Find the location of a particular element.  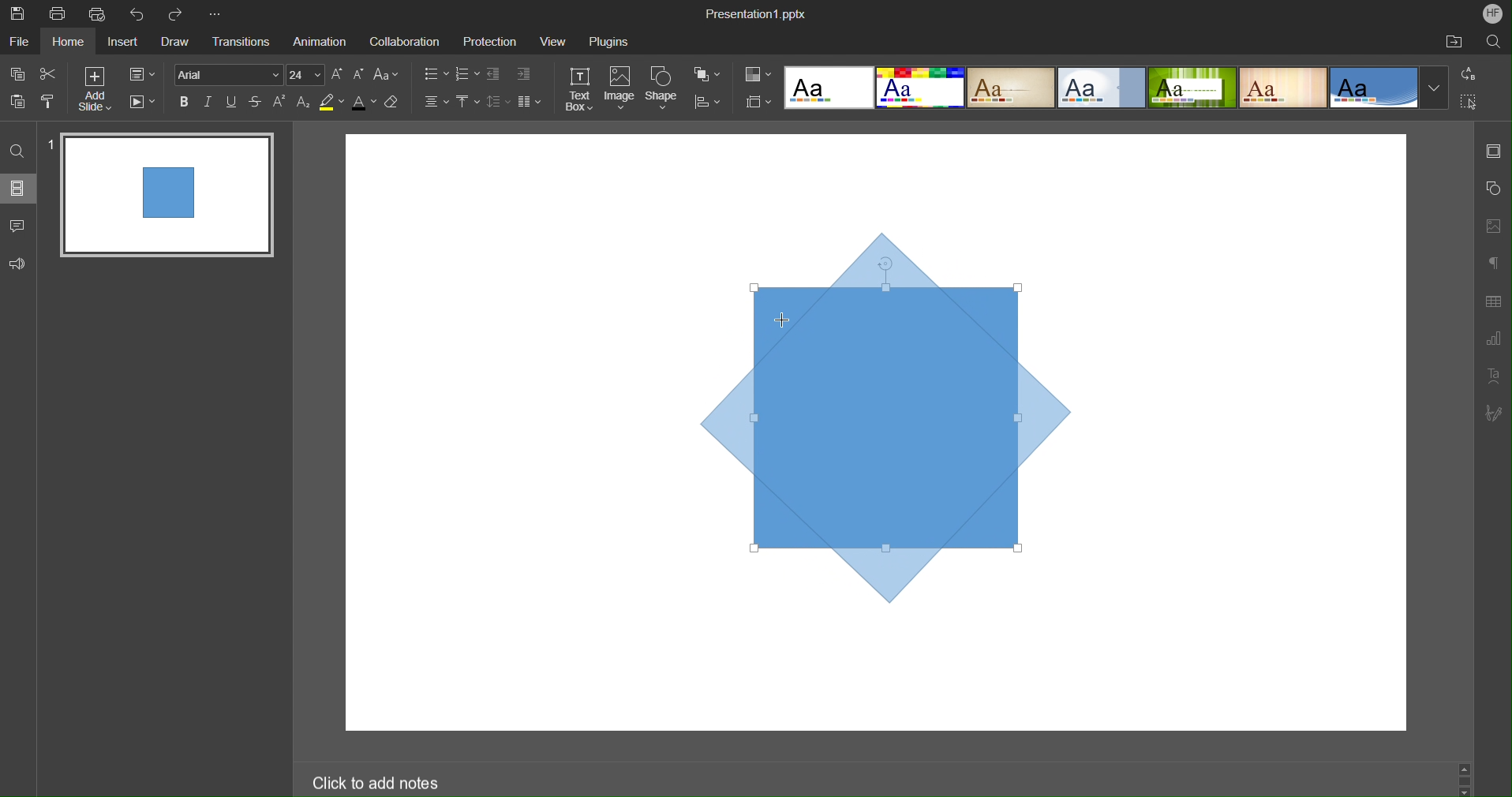

Image is located at coordinates (622, 89).